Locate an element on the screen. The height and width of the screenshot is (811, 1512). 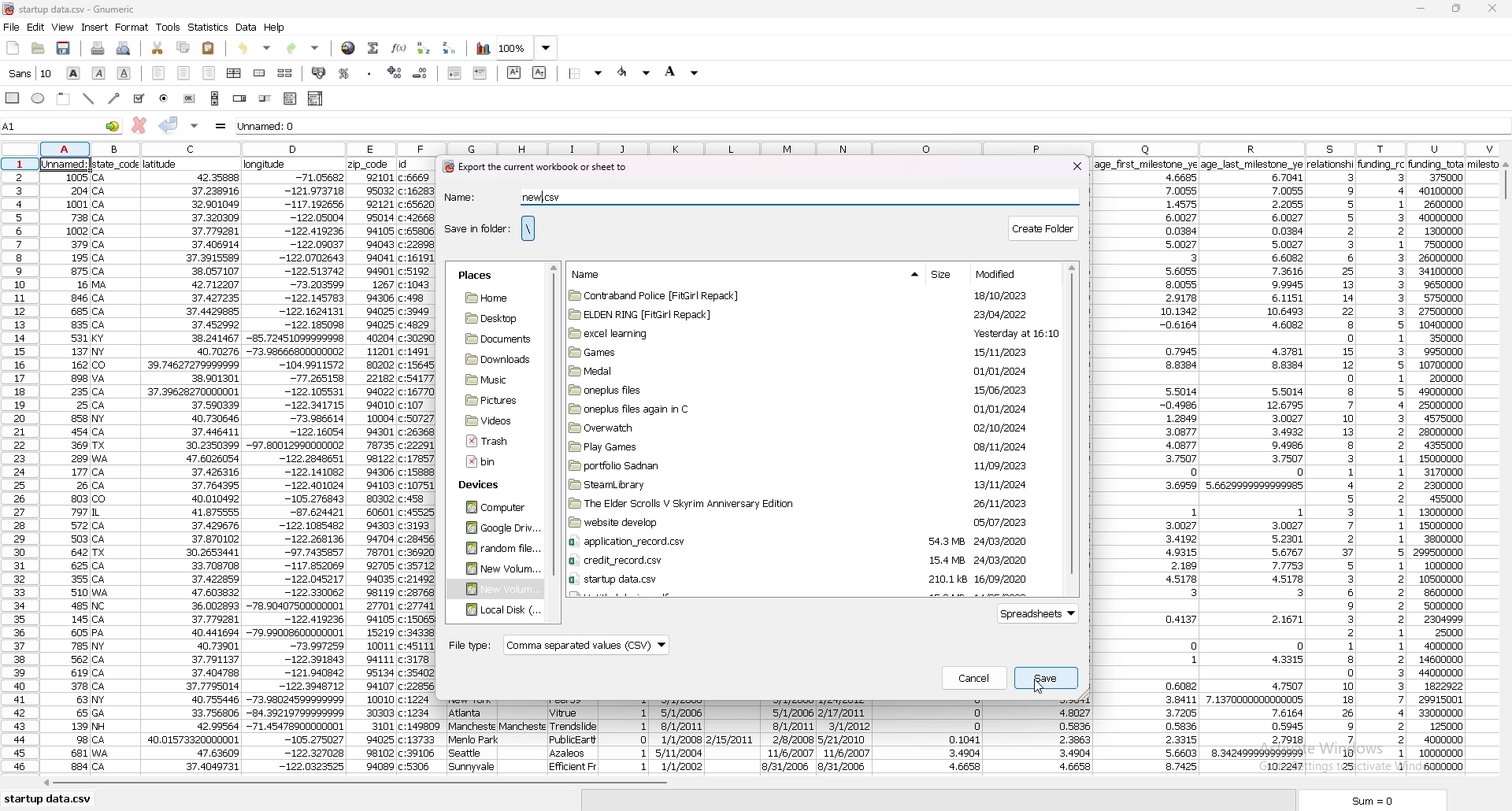
split merged cells is located at coordinates (285, 73).